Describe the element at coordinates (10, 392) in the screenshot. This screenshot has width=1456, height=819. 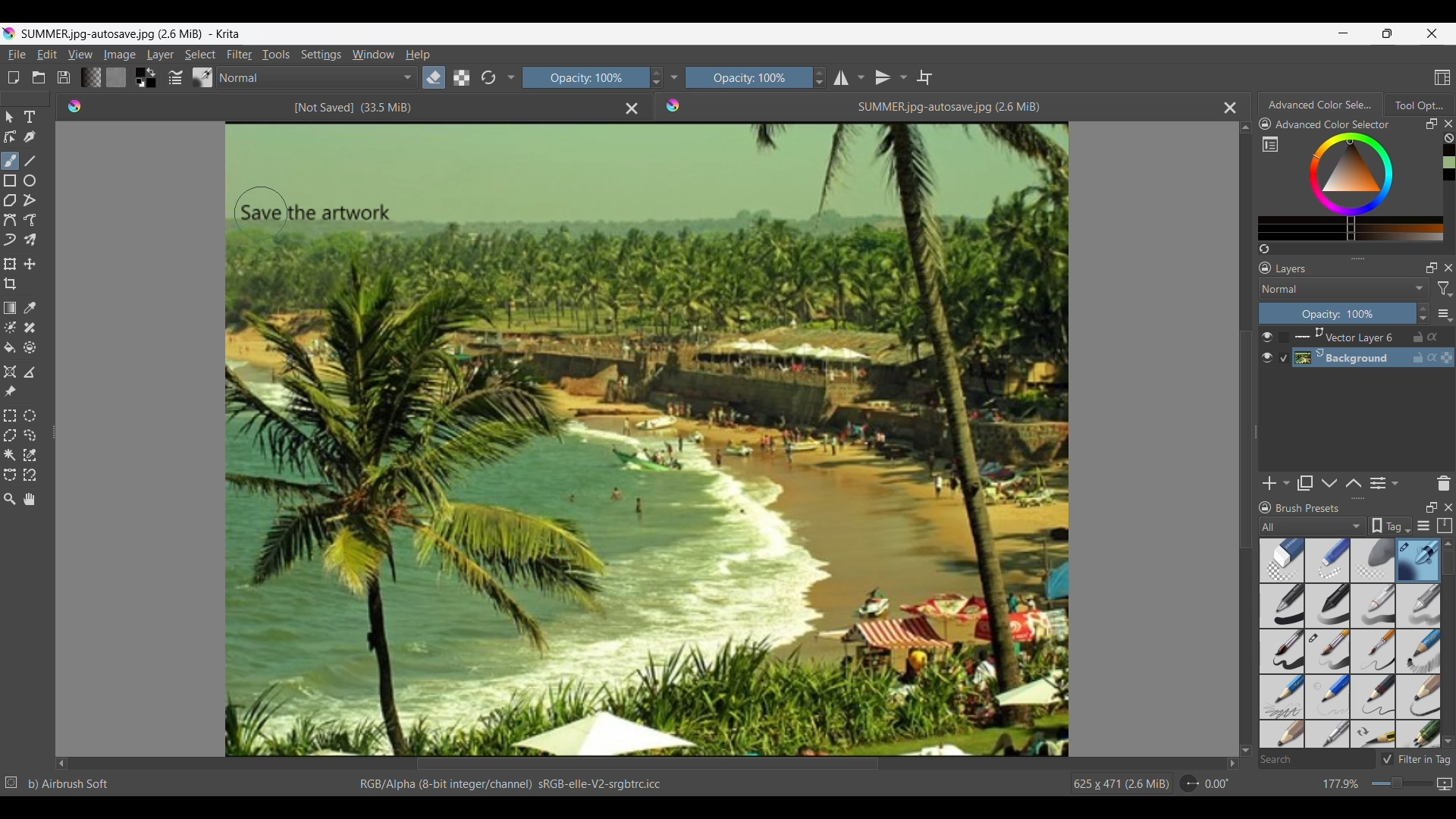
I see `Reference images tool` at that location.